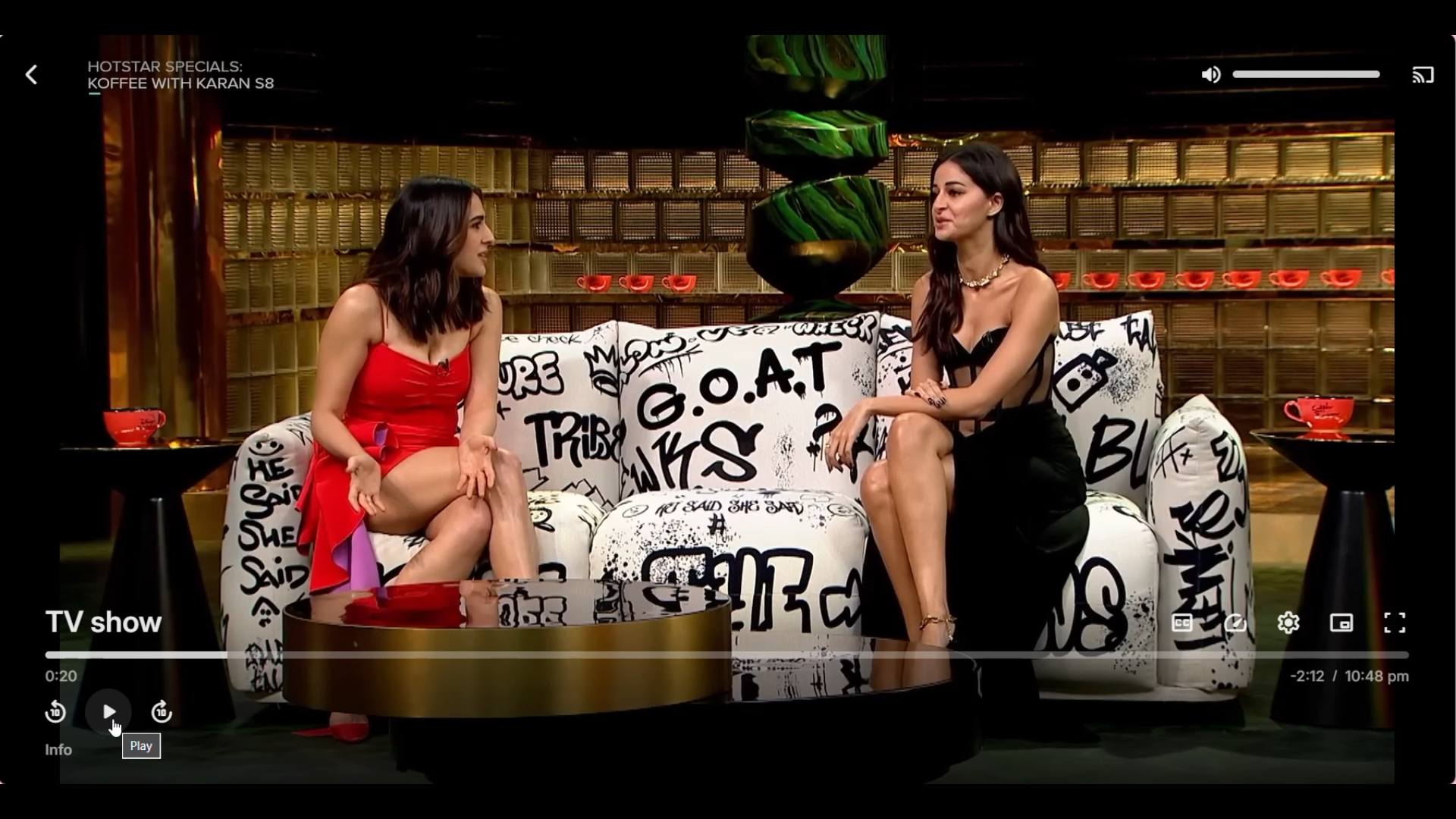 This screenshot has height=819, width=1456. Describe the element at coordinates (141, 746) in the screenshot. I see `Description of current selection` at that location.